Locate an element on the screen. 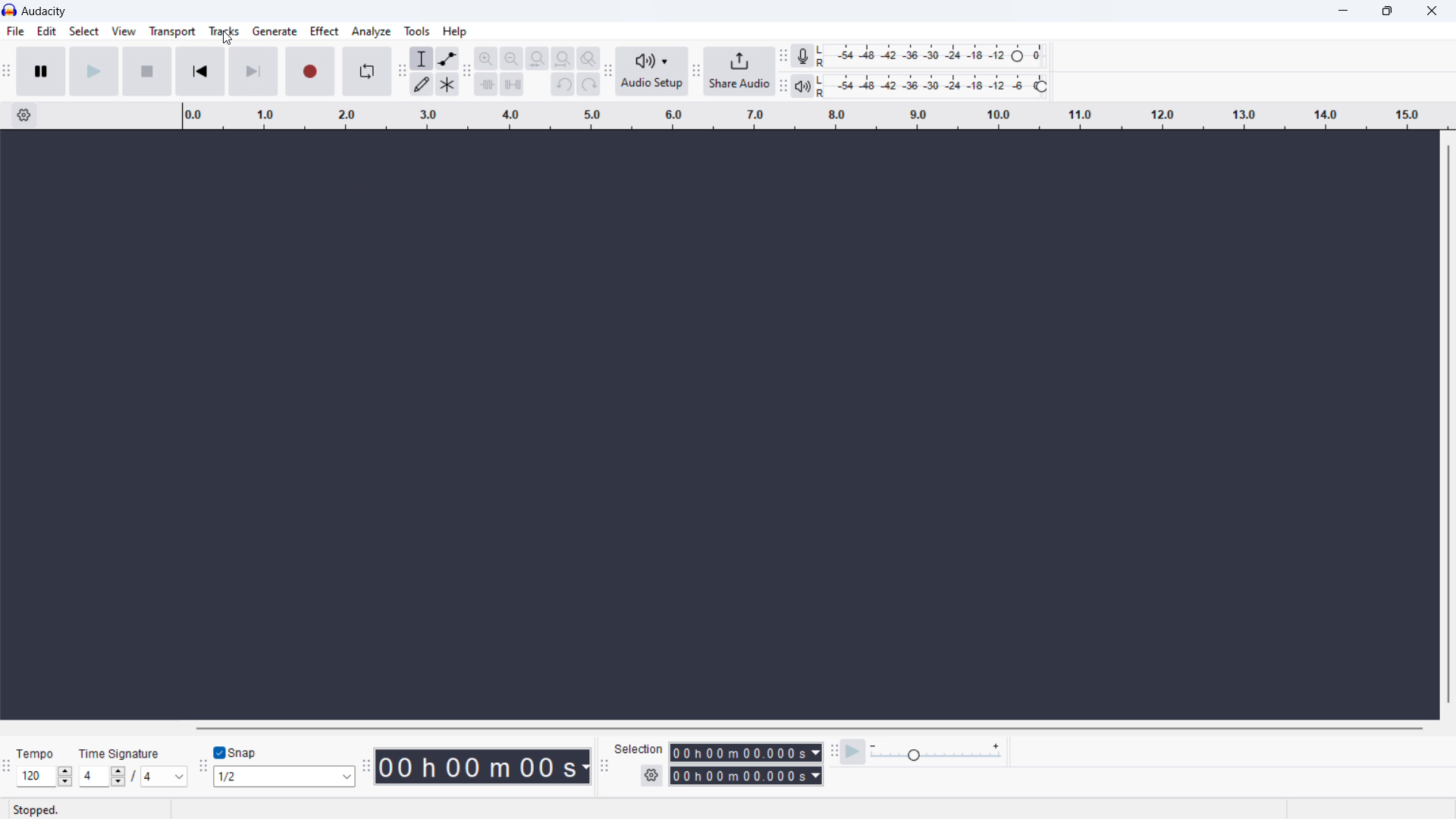 The width and height of the screenshot is (1456, 819). Audacity is located at coordinates (45, 11).